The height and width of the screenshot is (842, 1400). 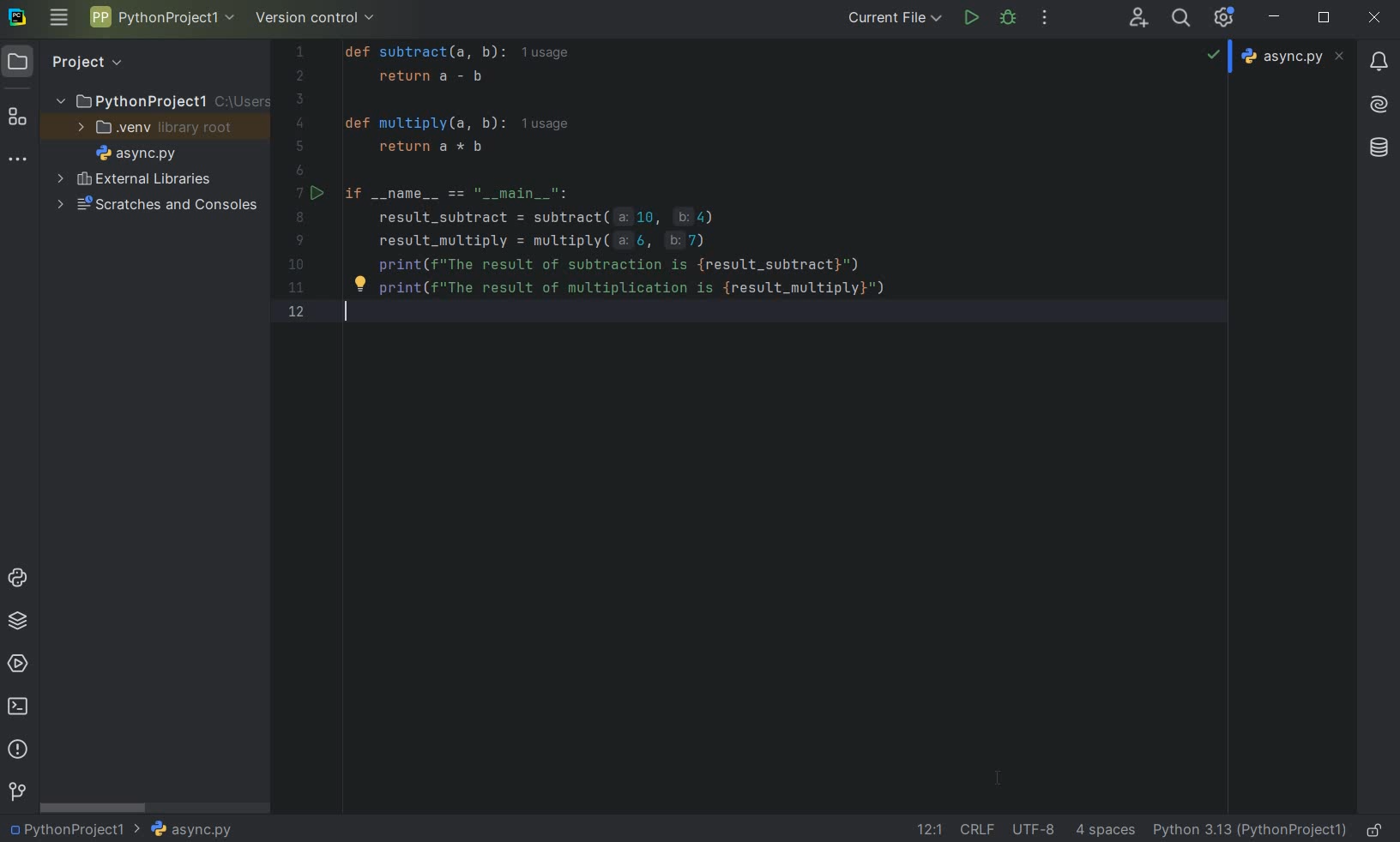 I want to click on system logo, so click(x=16, y=15).